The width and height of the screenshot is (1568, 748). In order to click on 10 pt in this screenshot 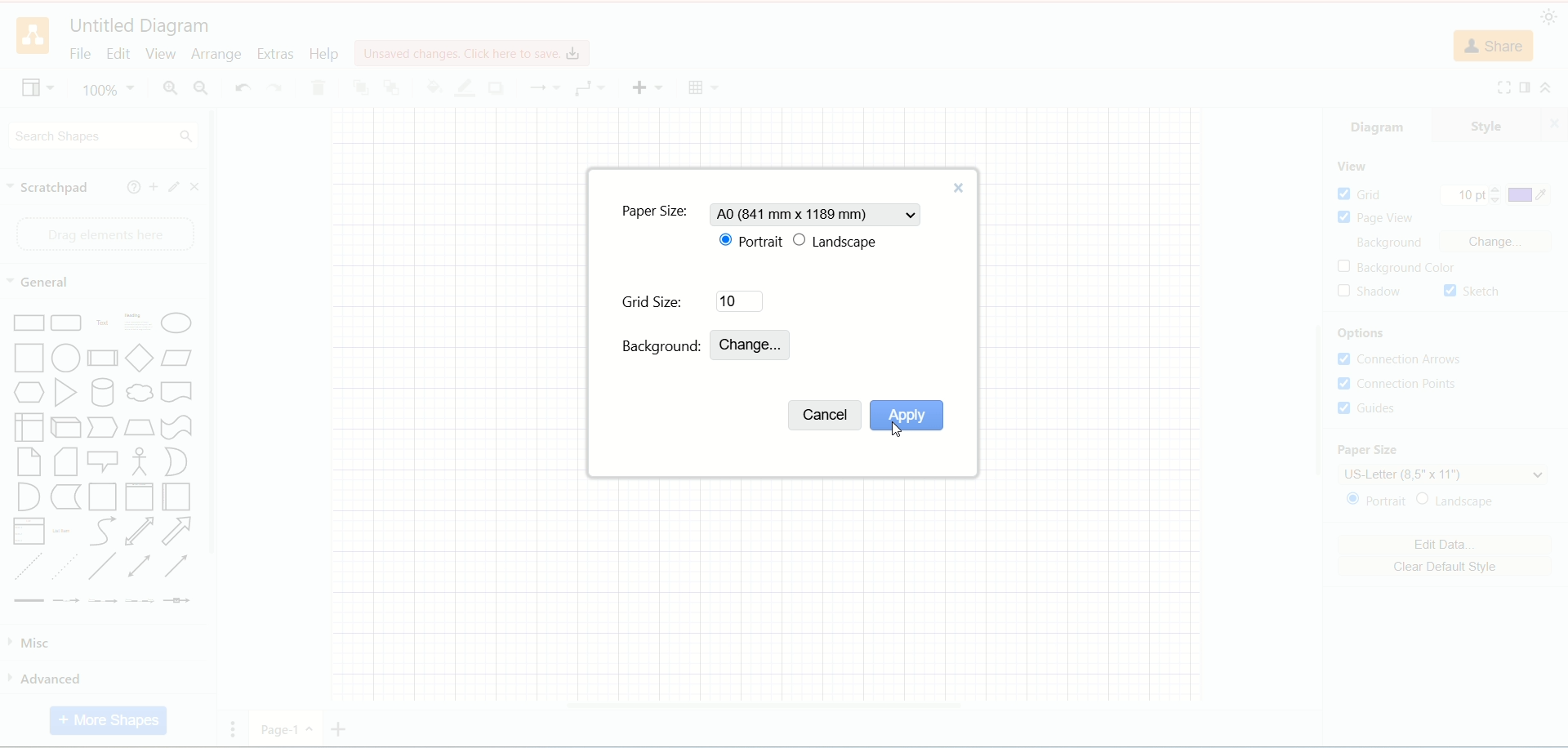, I will do `click(1471, 196)`.